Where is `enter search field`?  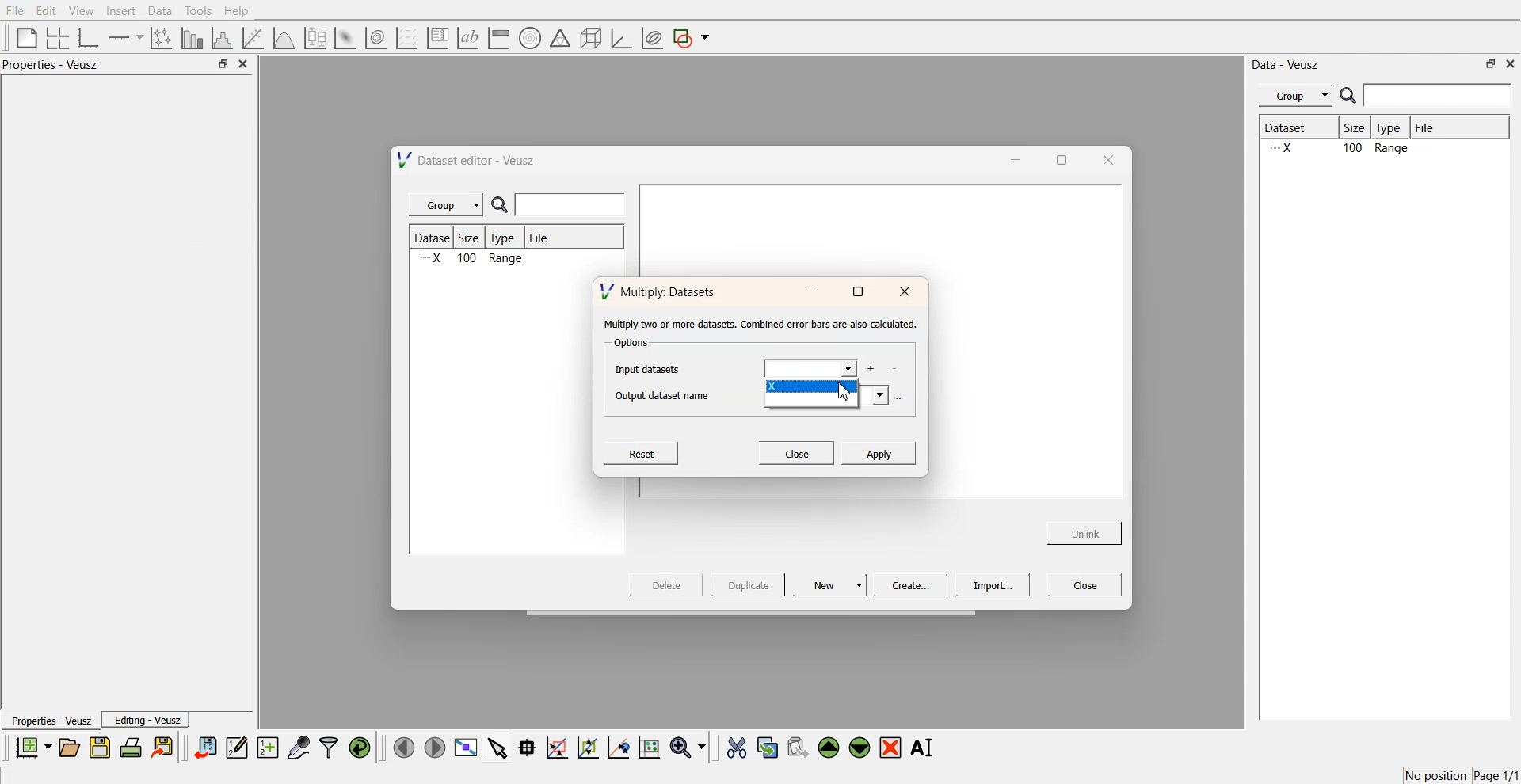 enter search field is located at coordinates (573, 205).